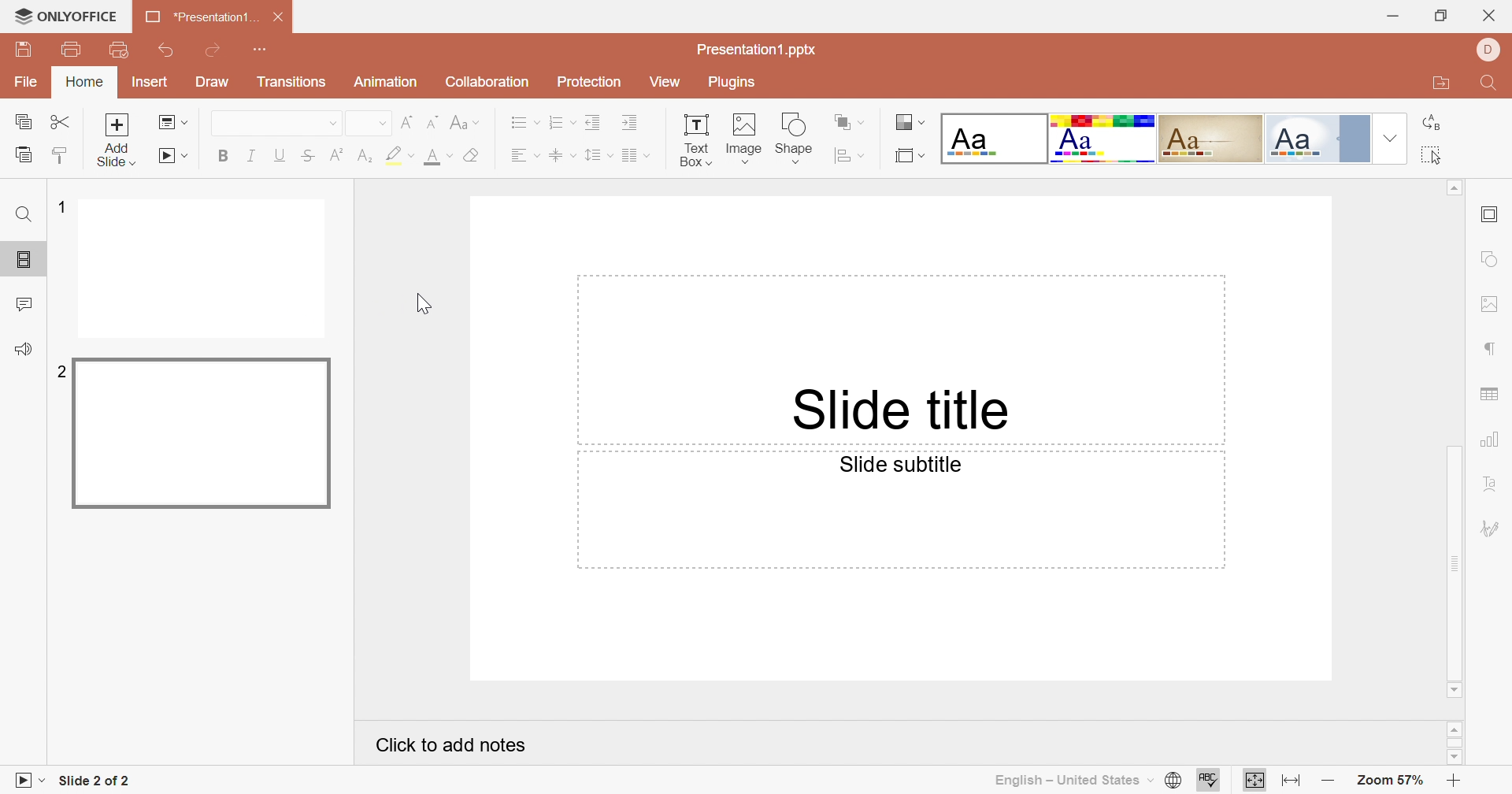 The image size is (1512, 794). I want to click on Insert Columns, so click(631, 157).